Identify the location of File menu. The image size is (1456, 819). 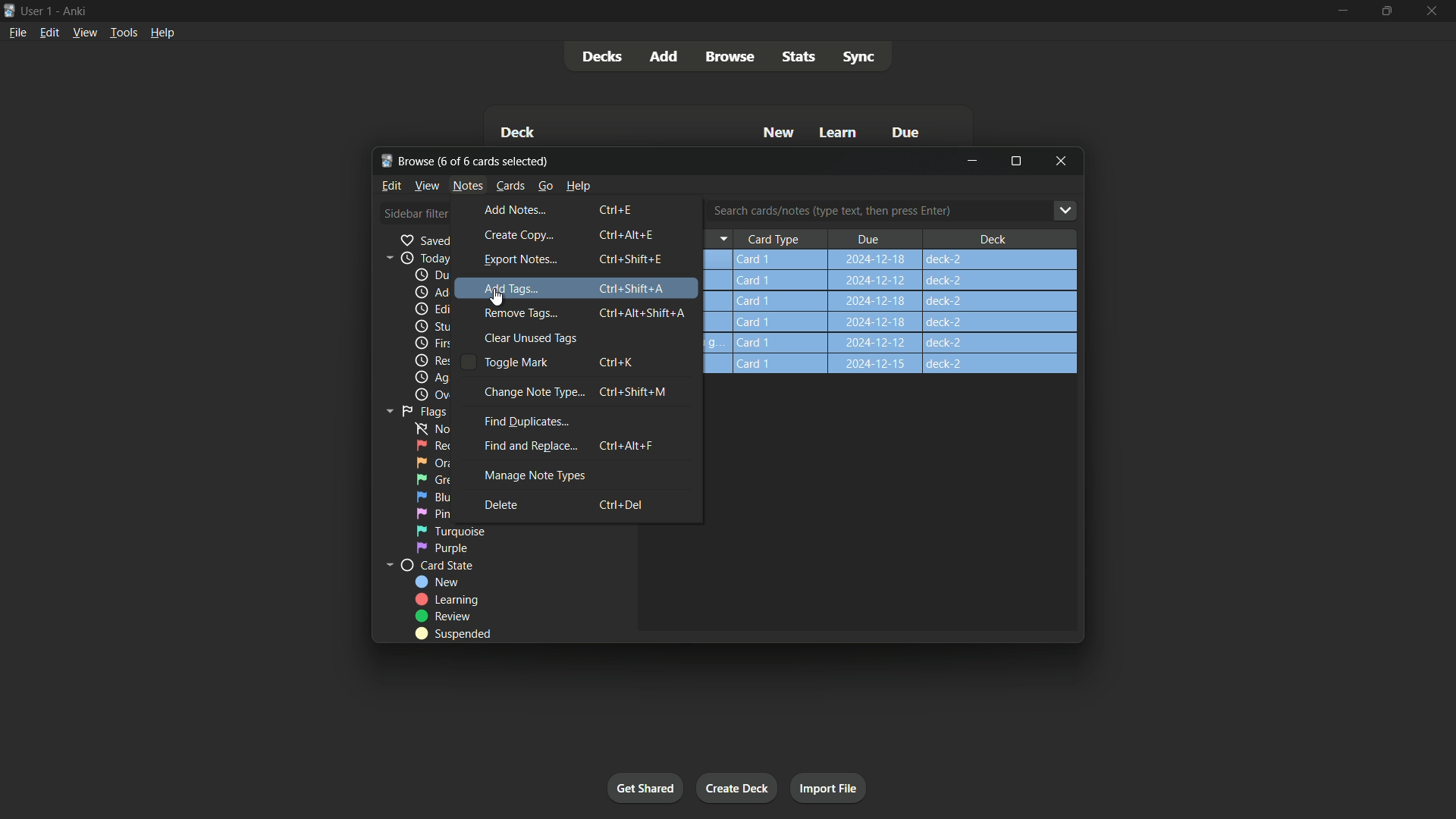
(16, 35).